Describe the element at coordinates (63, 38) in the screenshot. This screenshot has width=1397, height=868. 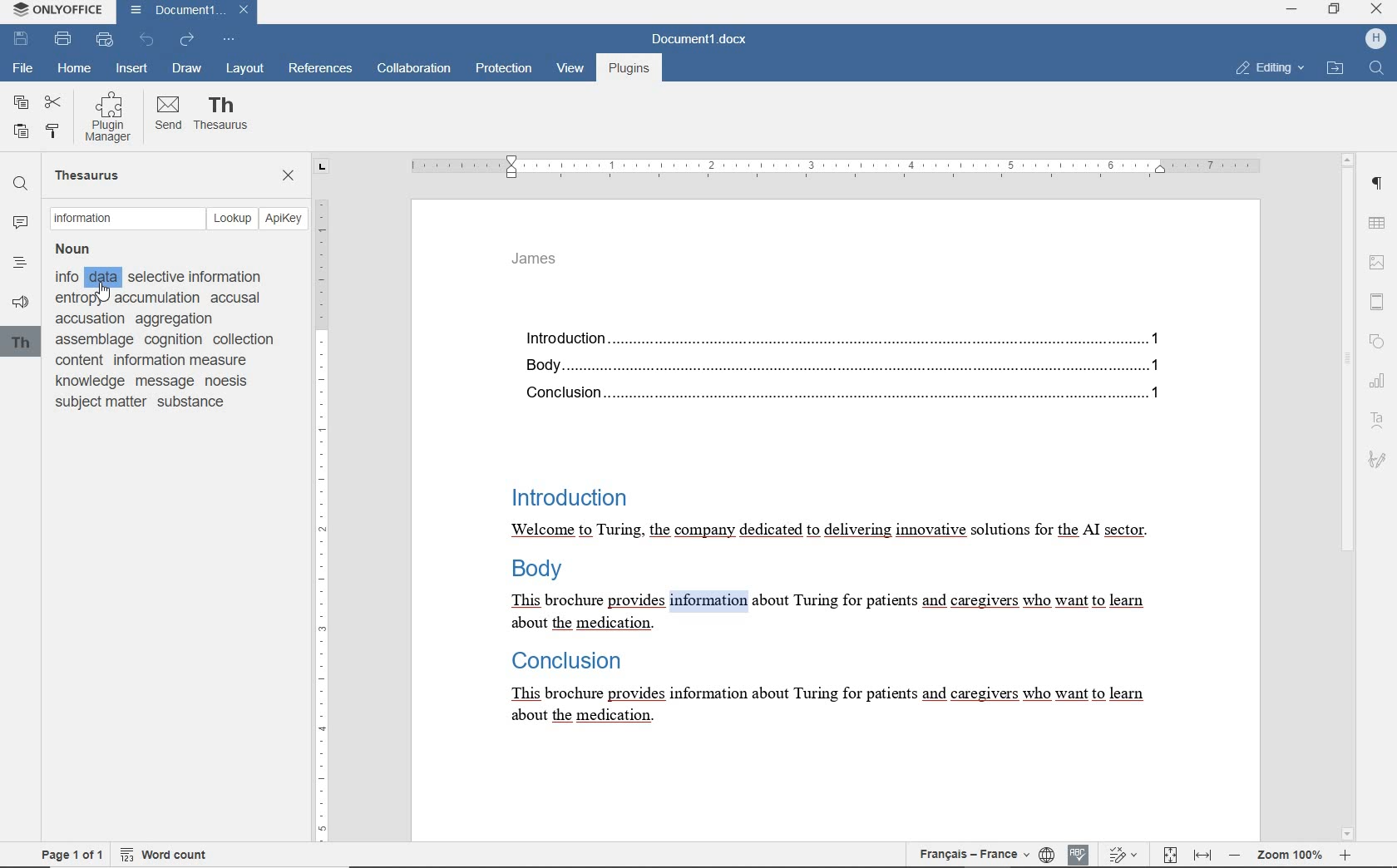
I see `PRINT` at that location.